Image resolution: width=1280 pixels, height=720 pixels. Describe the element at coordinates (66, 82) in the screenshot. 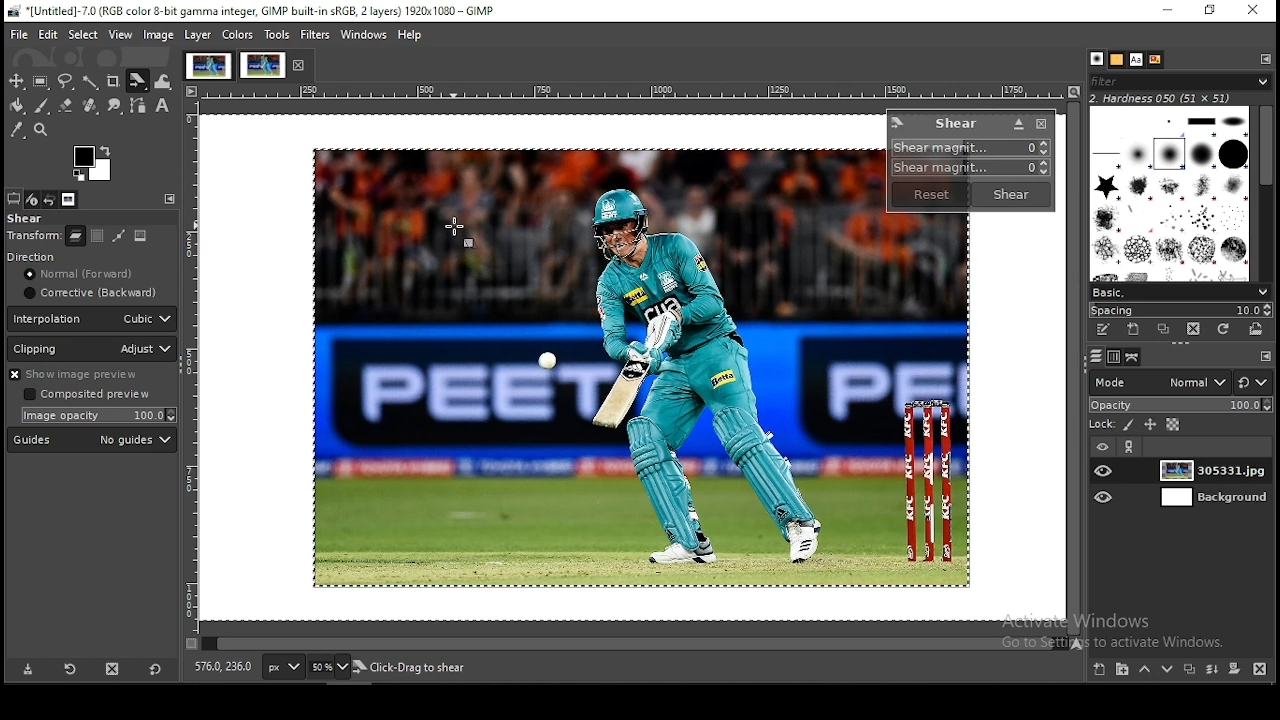

I see `free selection tool` at that location.